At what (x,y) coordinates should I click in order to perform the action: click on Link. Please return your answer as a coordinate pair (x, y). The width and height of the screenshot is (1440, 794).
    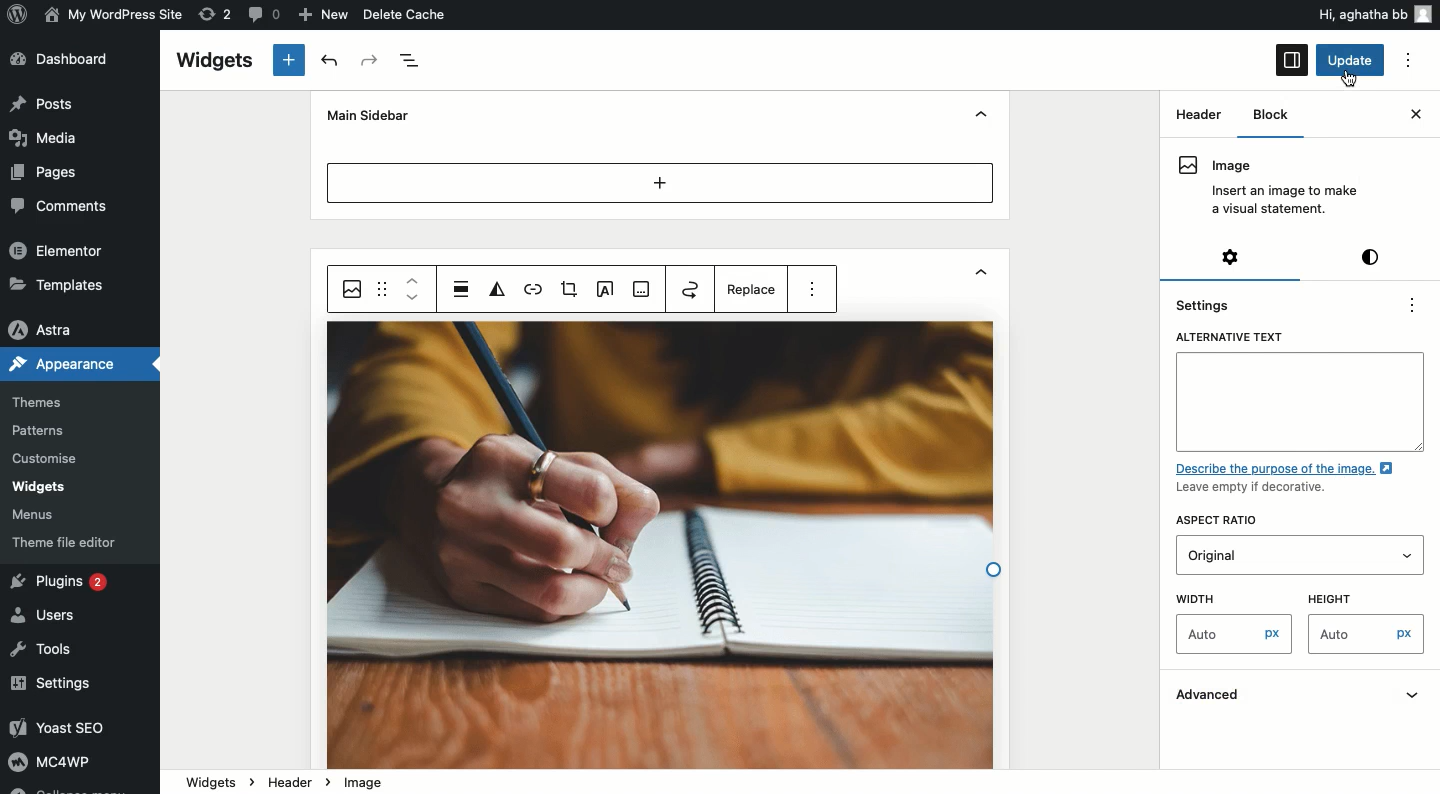
    Looking at the image, I should click on (532, 291).